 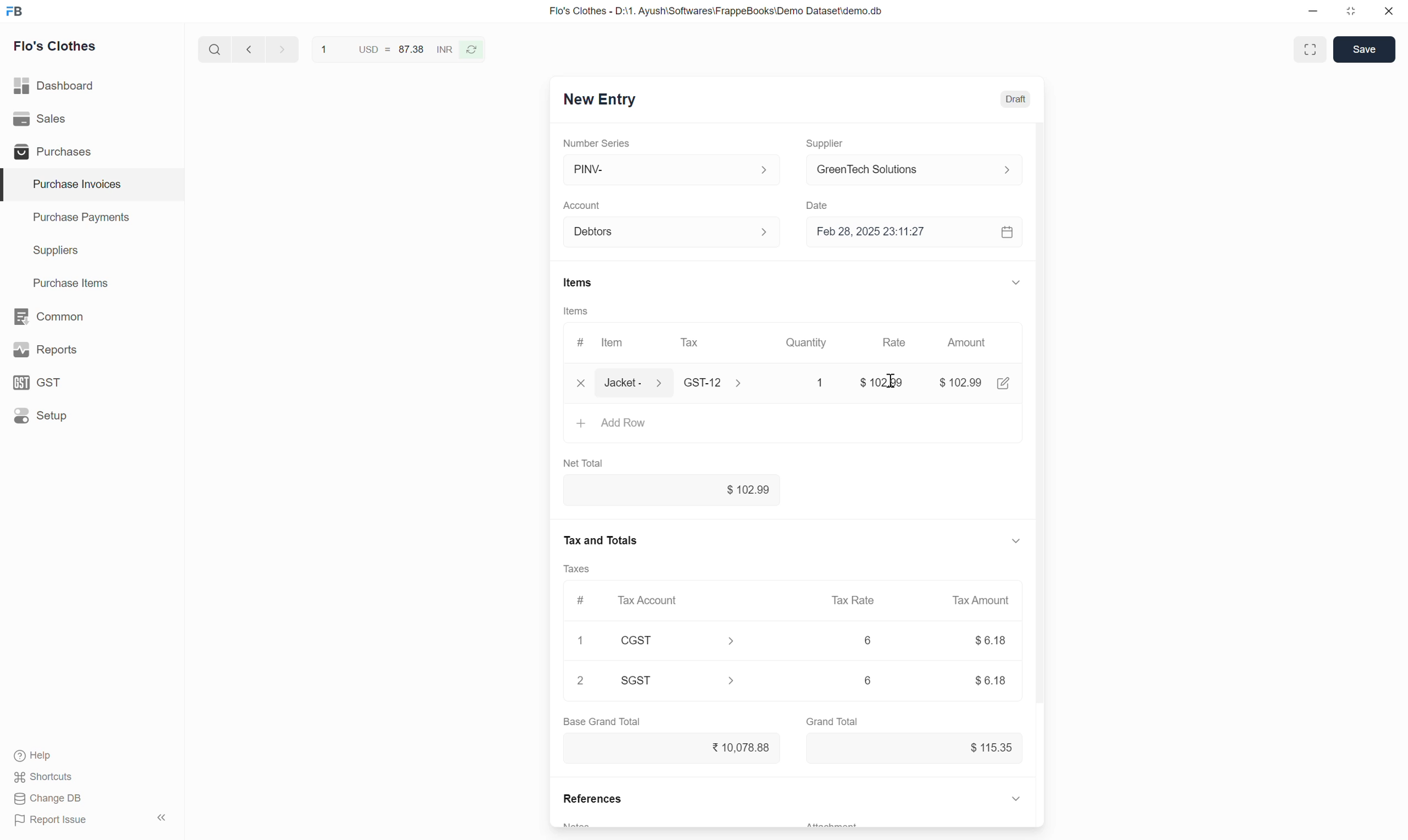 I want to click on Frappe Books logo, so click(x=14, y=11).